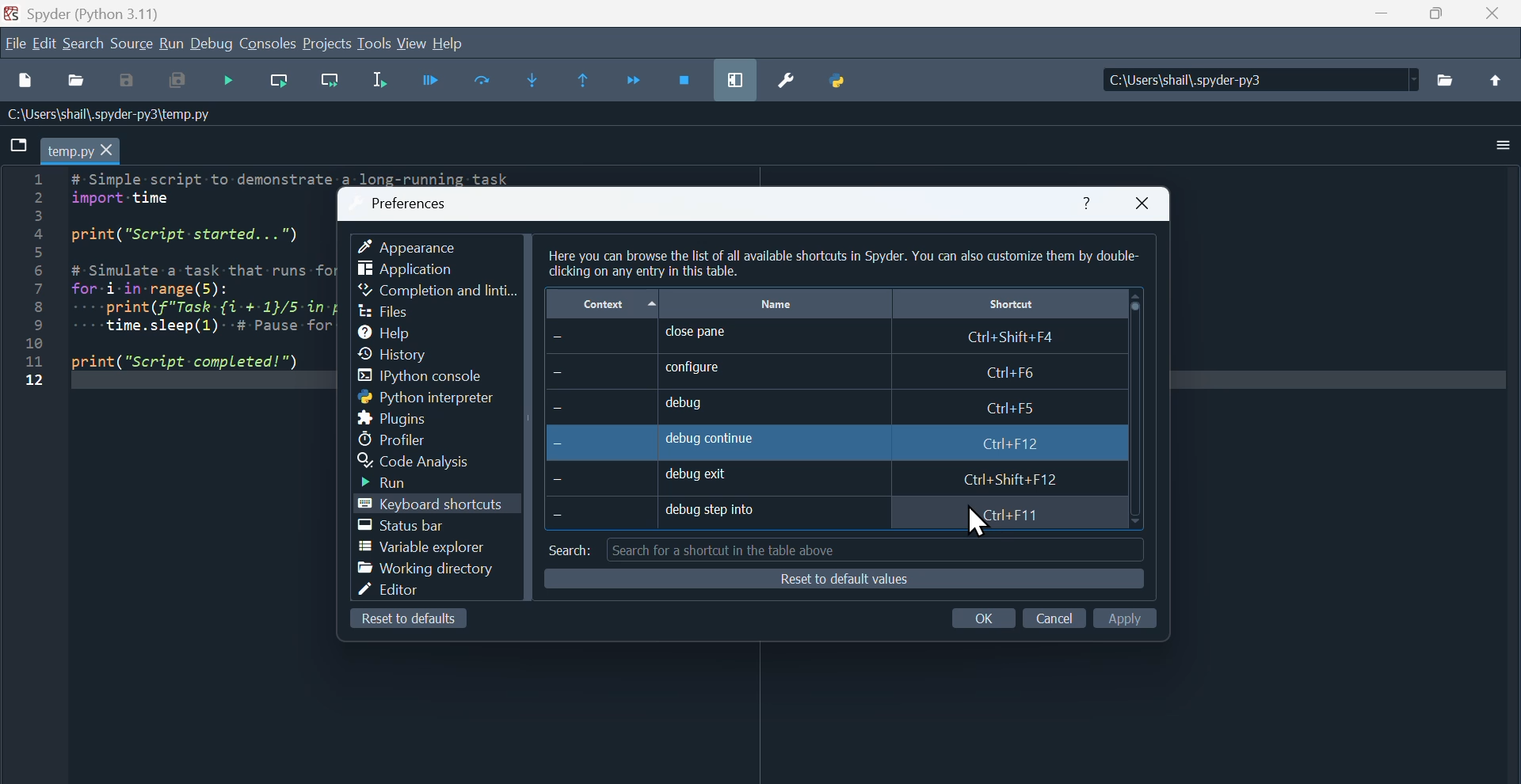 Image resolution: width=1521 pixels, height=784 pixels. What do you see at coordinates (991, 618) in the screenshot?
I see `` at bounding box center [991, 618].